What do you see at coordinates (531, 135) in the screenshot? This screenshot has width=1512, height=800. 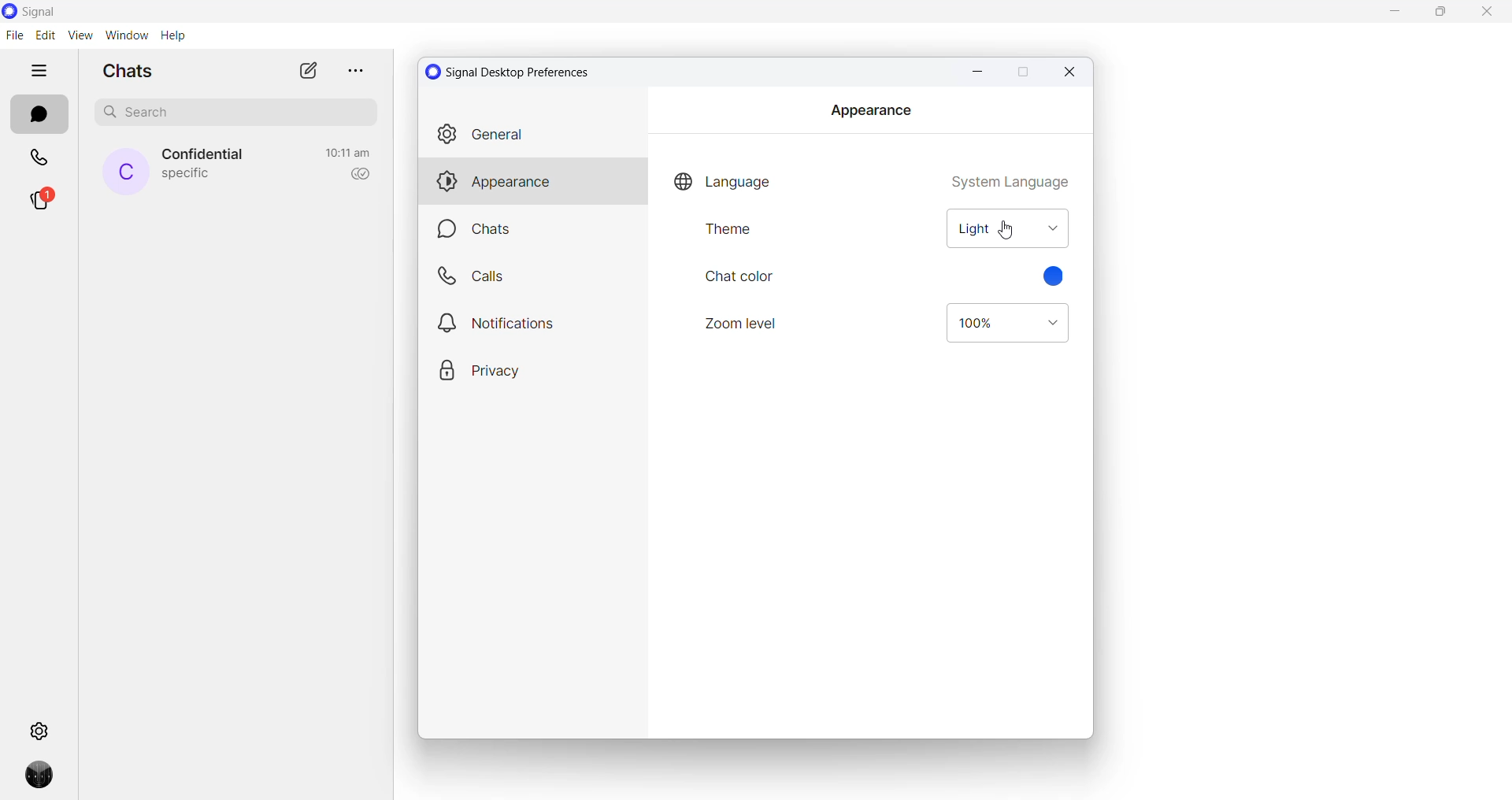 I see `general` at bounding box center [531, 135].